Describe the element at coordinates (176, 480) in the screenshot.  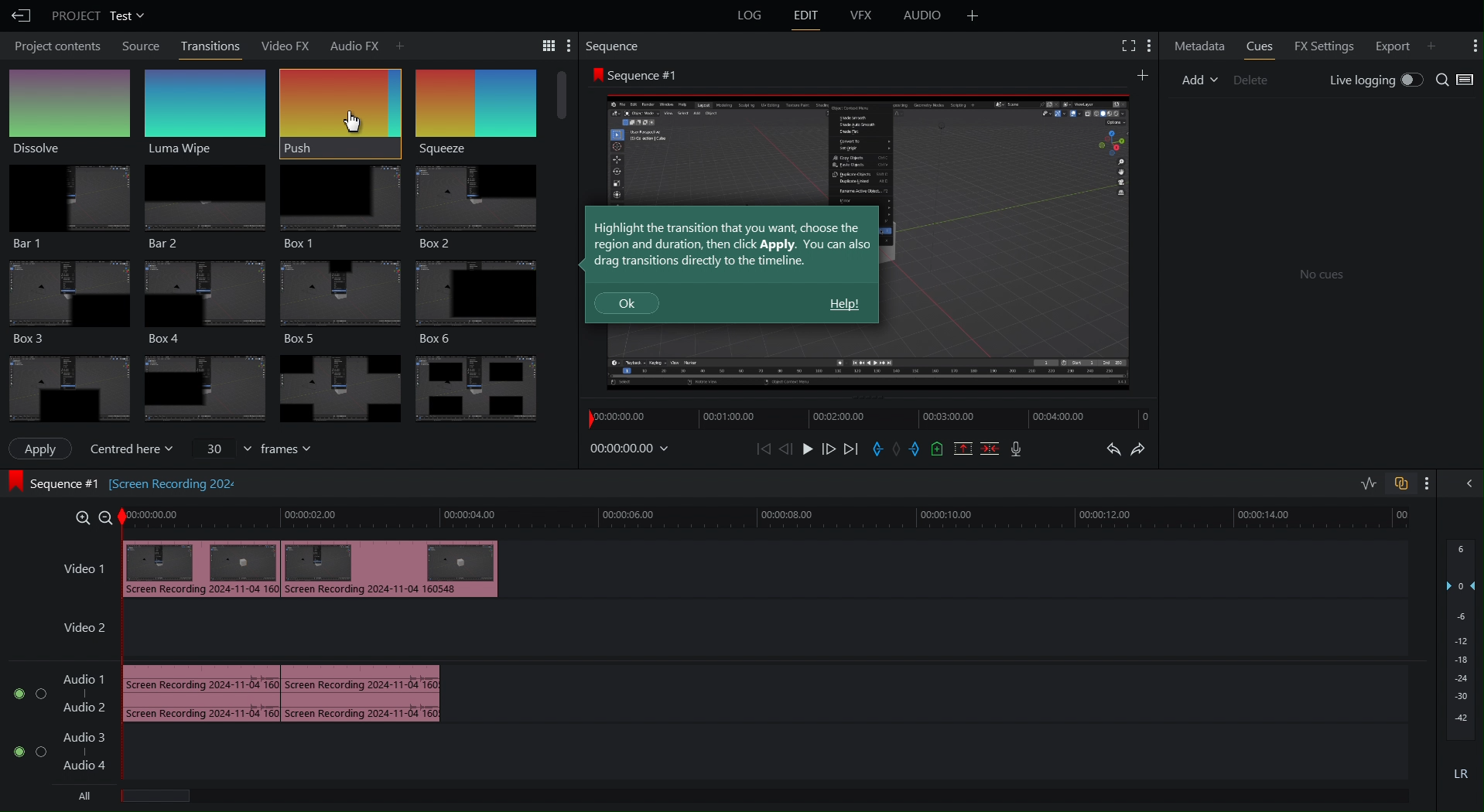
I see `[Screen recording 202]` at that location.